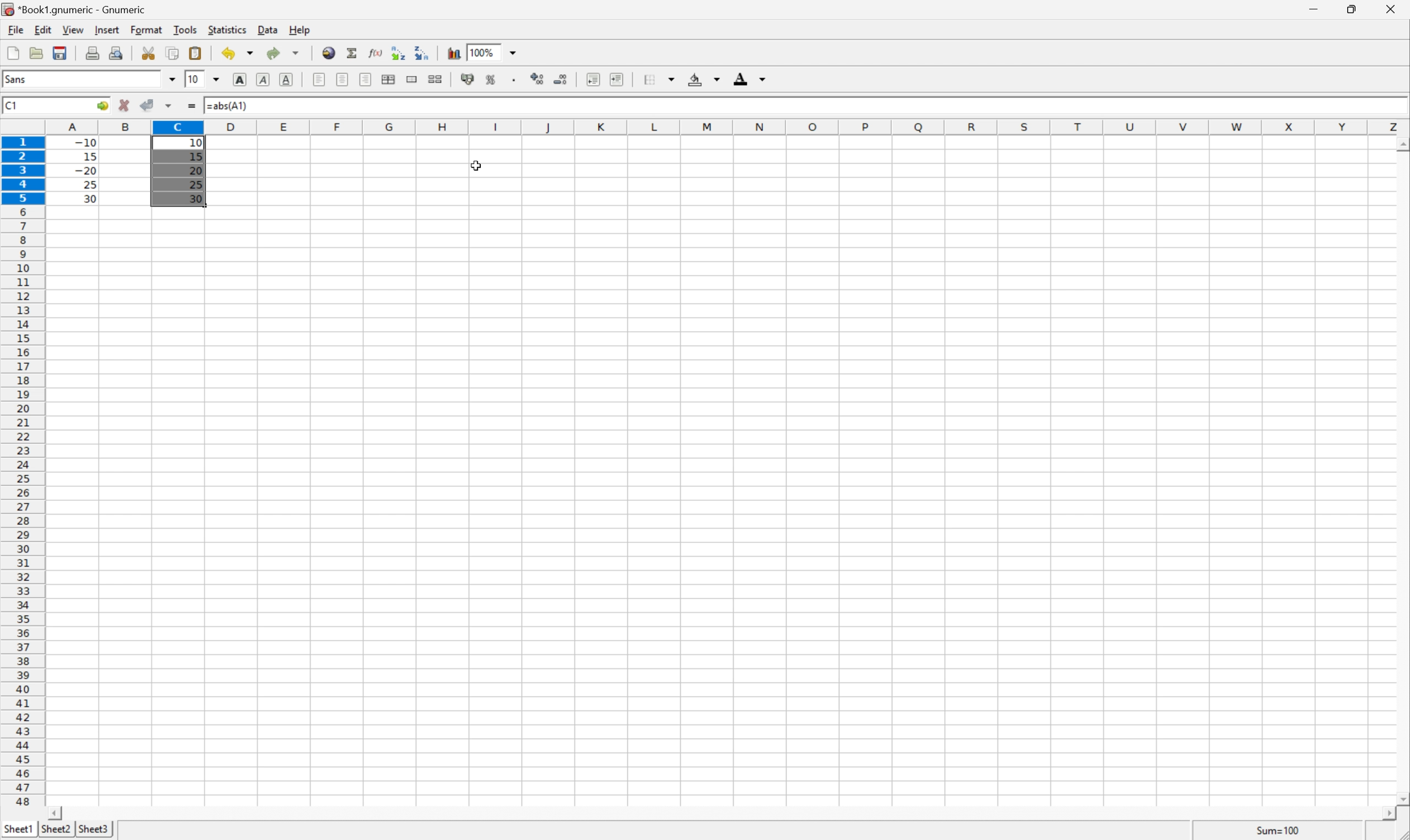 This screenshot has width=1410, height=840. Describe the element at coordinates (152, 49) in the screenshot. I see `Copy the selection` at that location.